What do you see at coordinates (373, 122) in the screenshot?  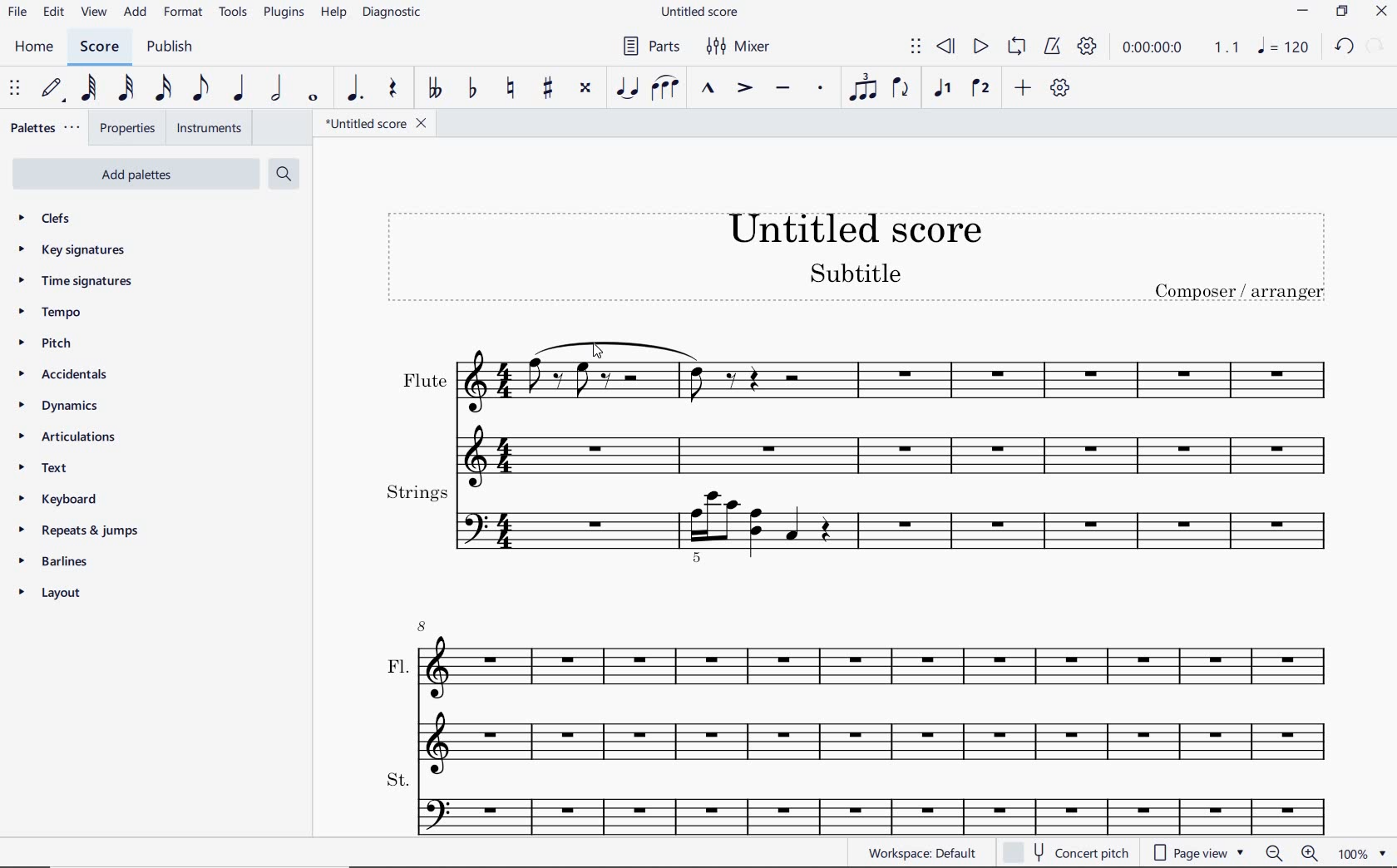 I see `FILE NAME` at bounding box center [373, 122].